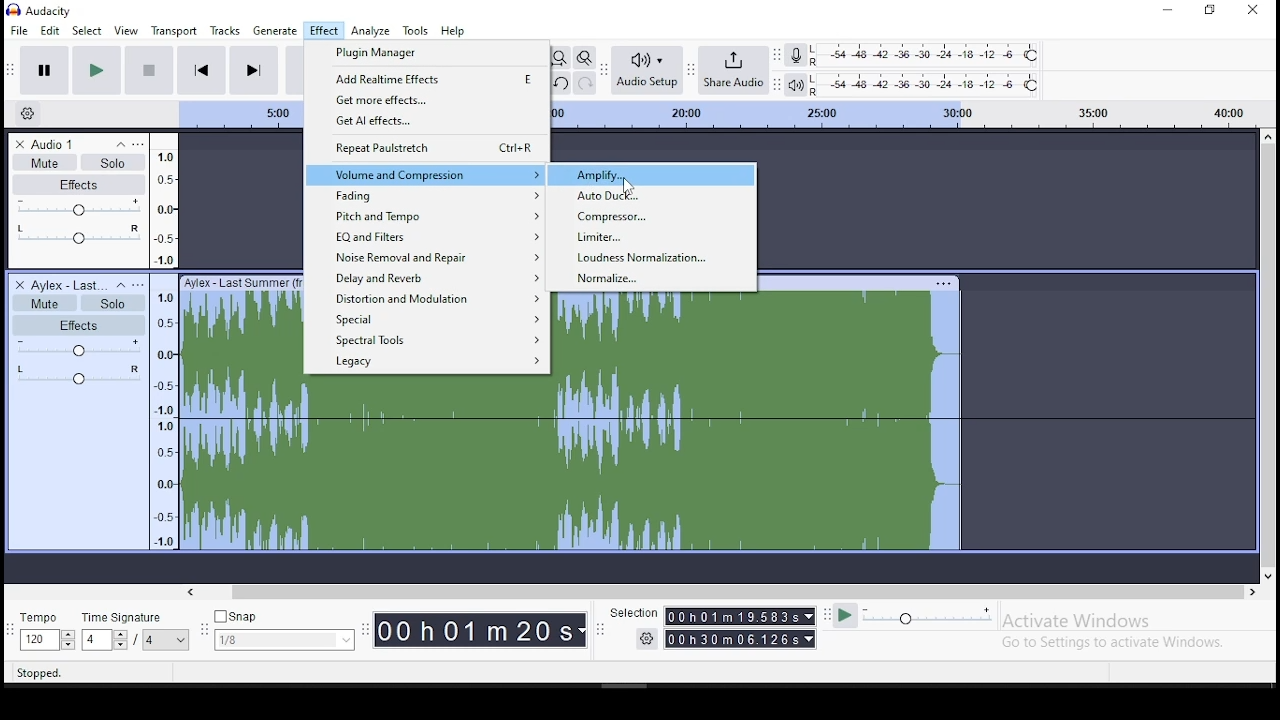  What do you see at coordinates (434, 318) in the screenshot?
I see `special` at bounding box center [434, 318].